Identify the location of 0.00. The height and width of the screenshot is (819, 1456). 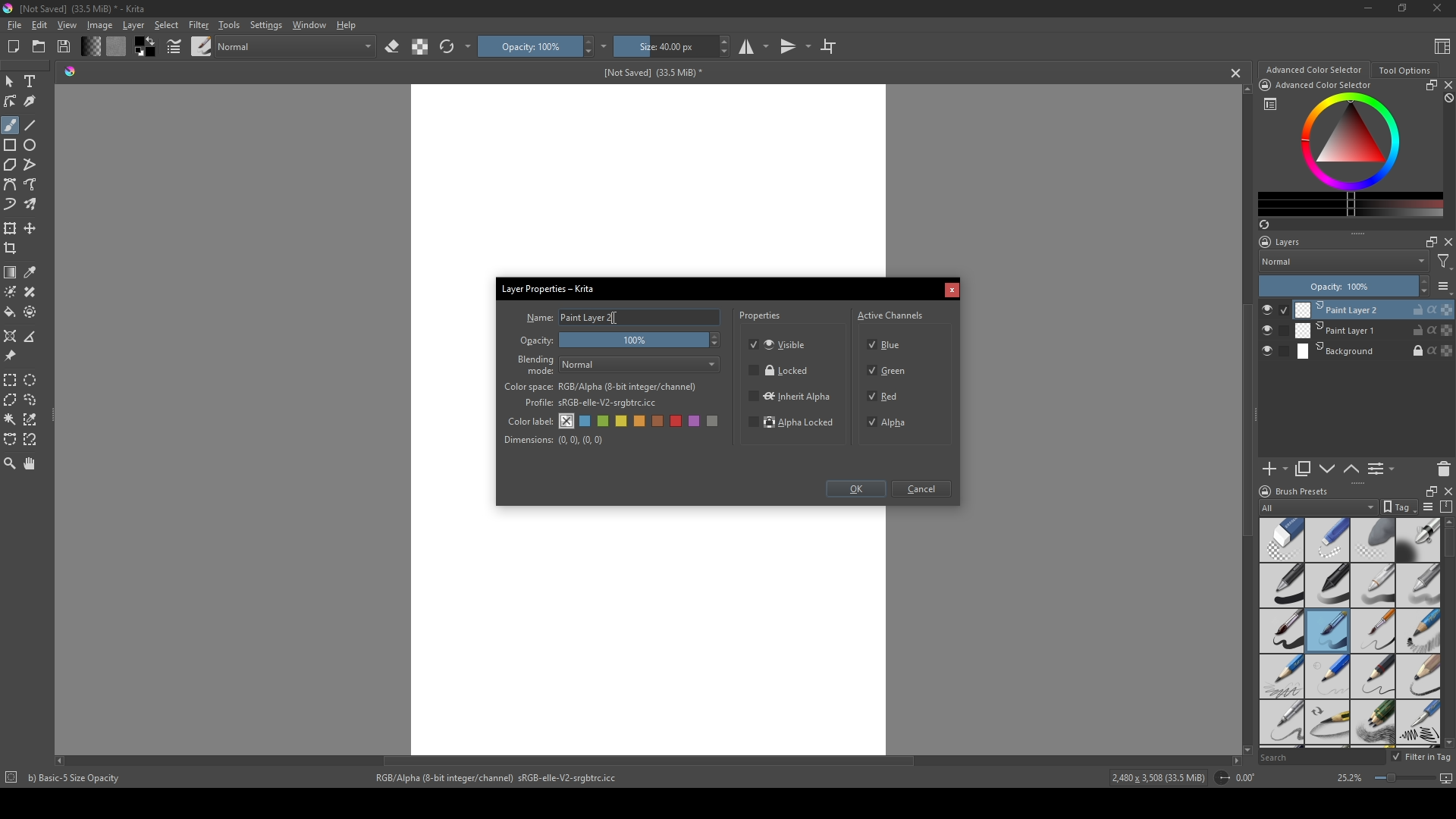
(1250, 778).